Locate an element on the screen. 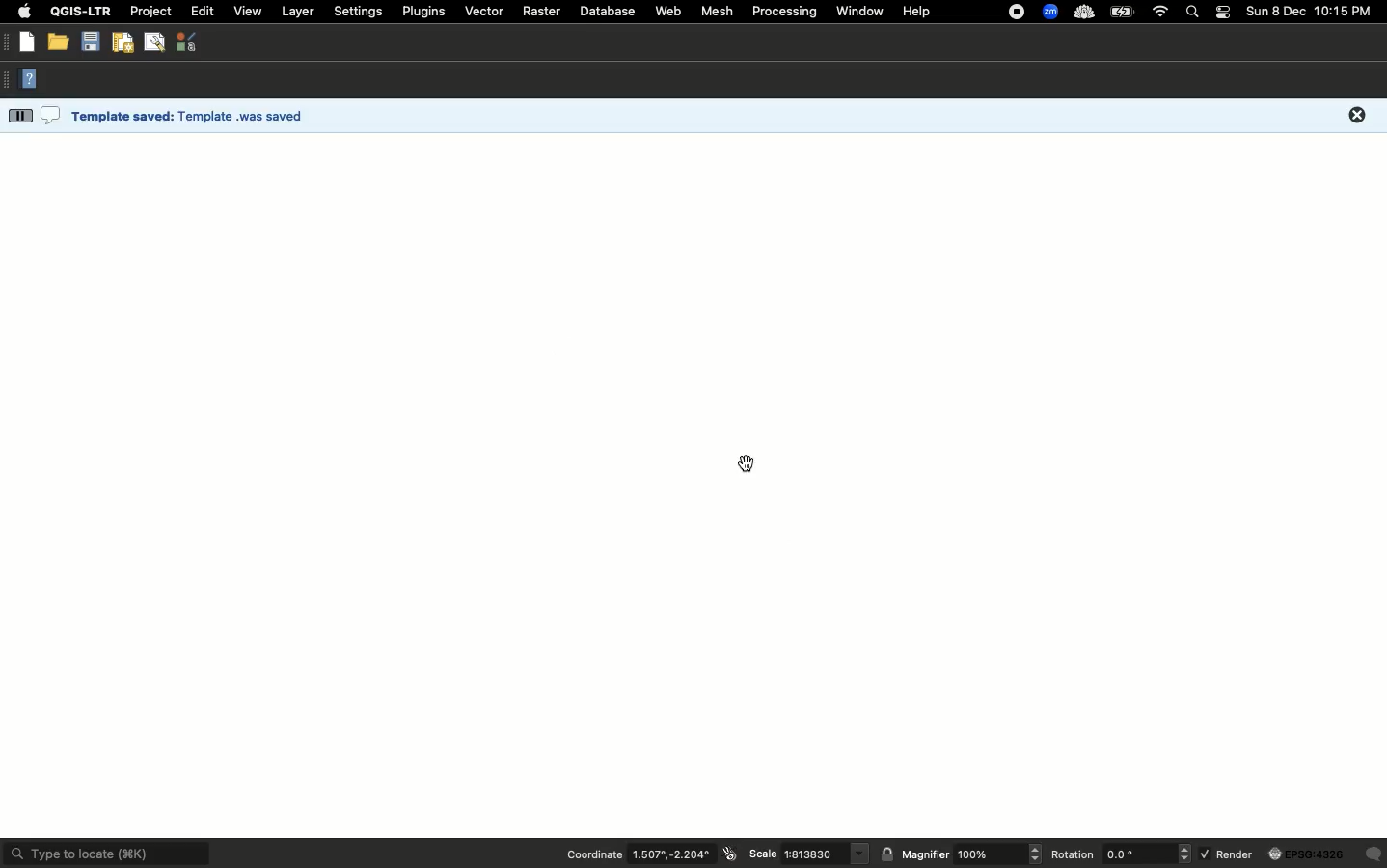 The height and width of the screenshot is (868, 1387). Plugins is located at coordinates (424, 12).